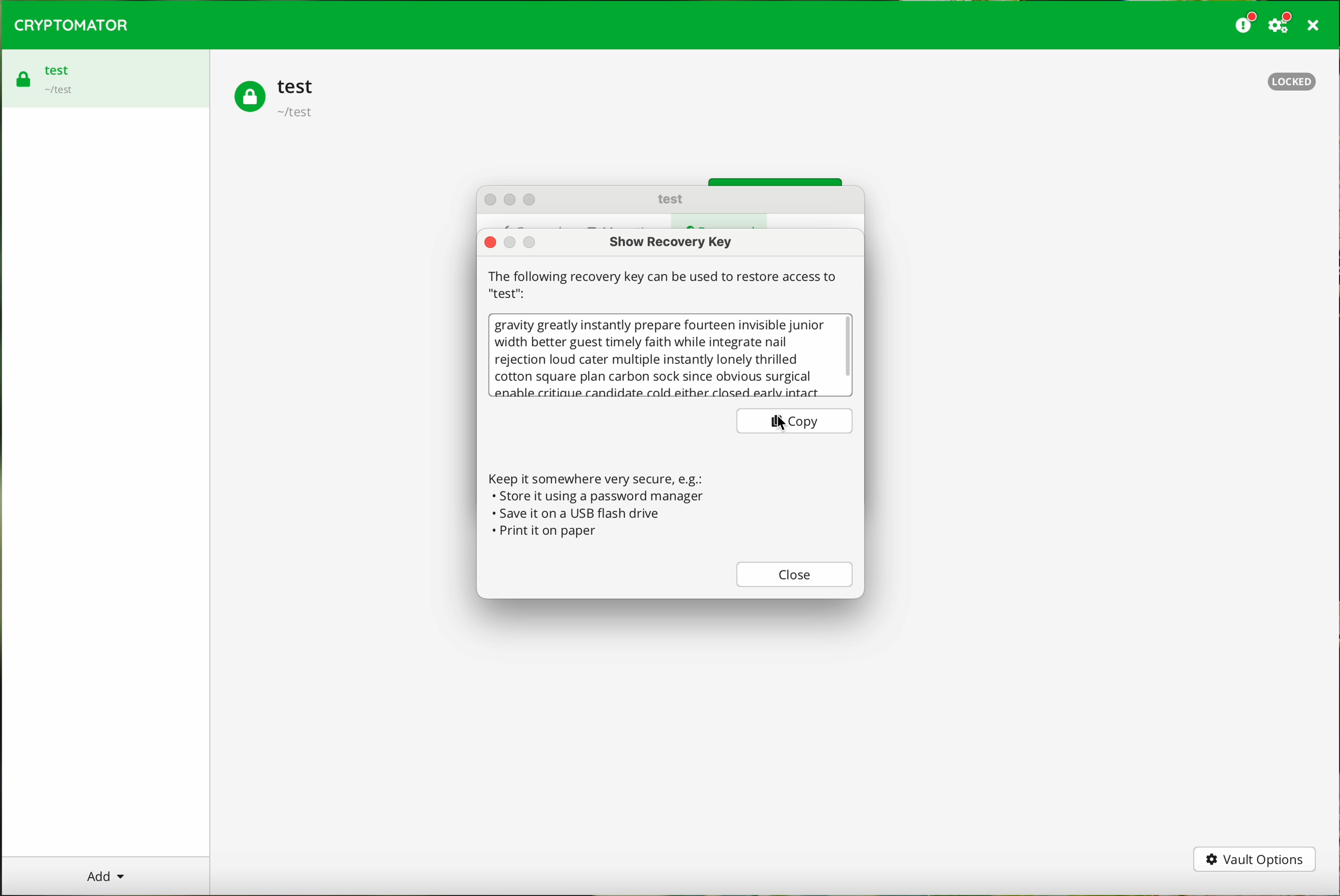 Image resolution: width=1340 pixels, height=896 pixels. What do you see at coordinates (601, 500) in the screenshot?
I see `Keep it somewhere very secure, e.g.:
+ Store it using a password manager
+ Save it on a USB flash drive

« Print it on paper` at bounding box center [601, 500].